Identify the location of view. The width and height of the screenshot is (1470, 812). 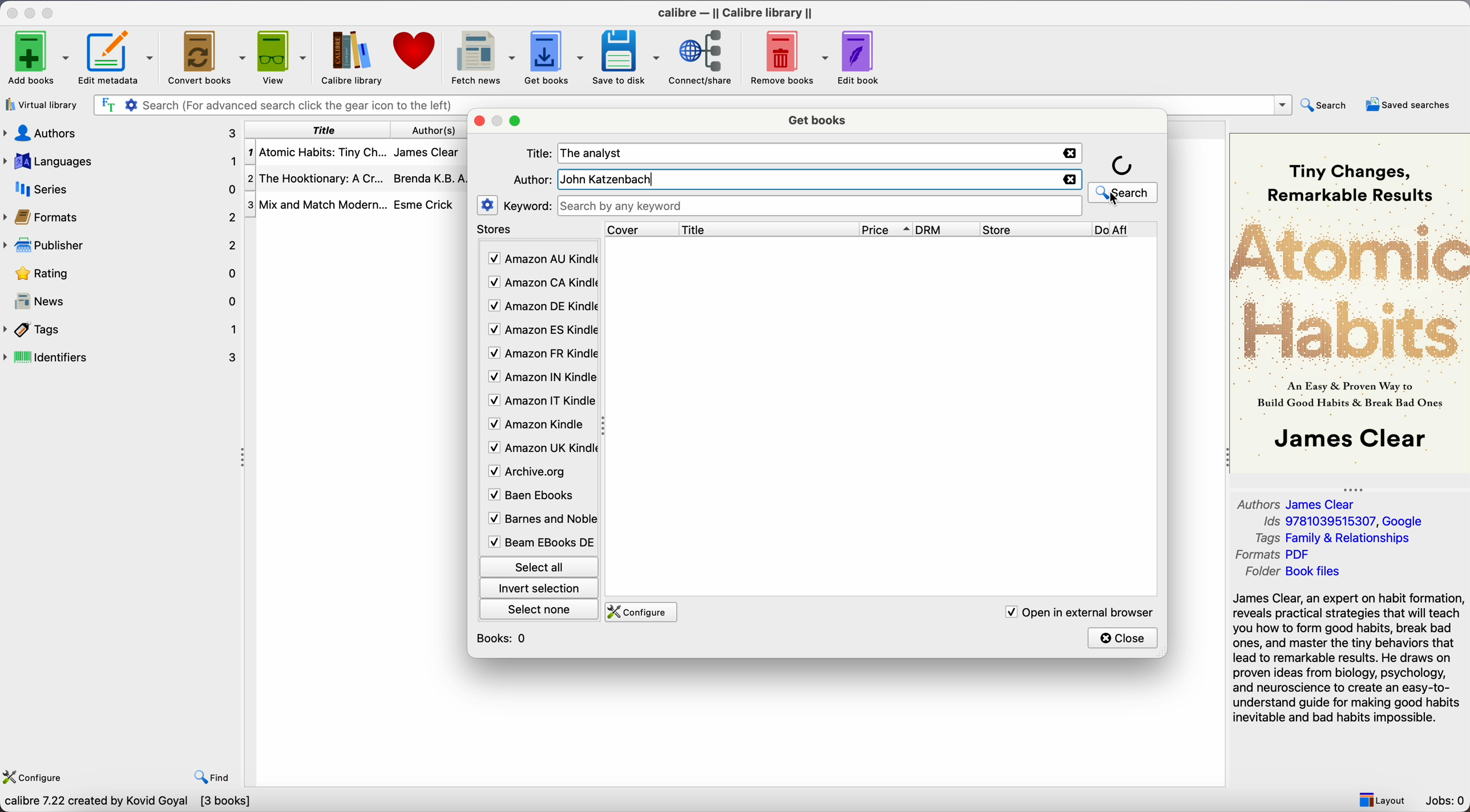
(281, 57).